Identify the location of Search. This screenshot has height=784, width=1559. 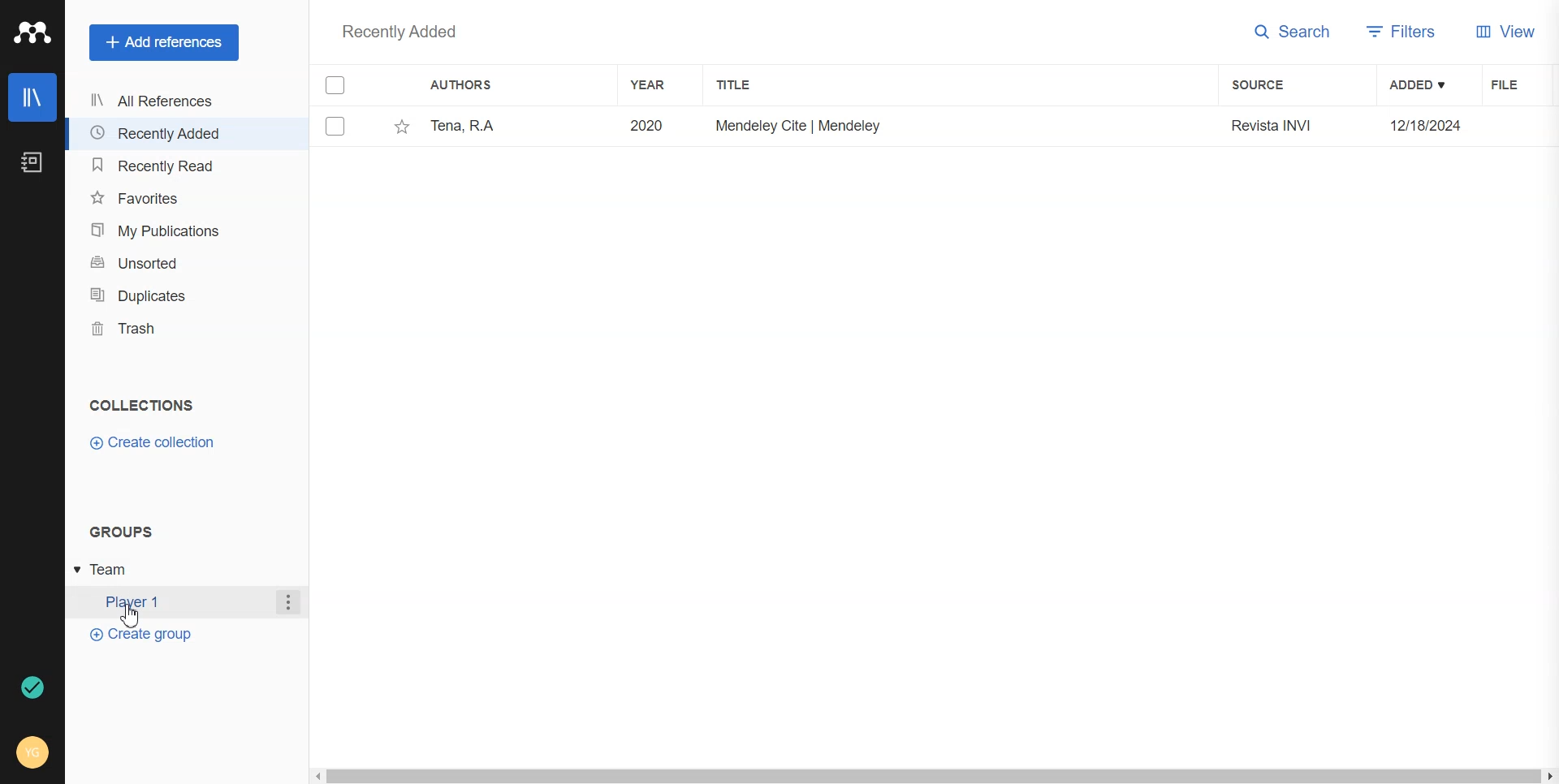
(1291, 32).